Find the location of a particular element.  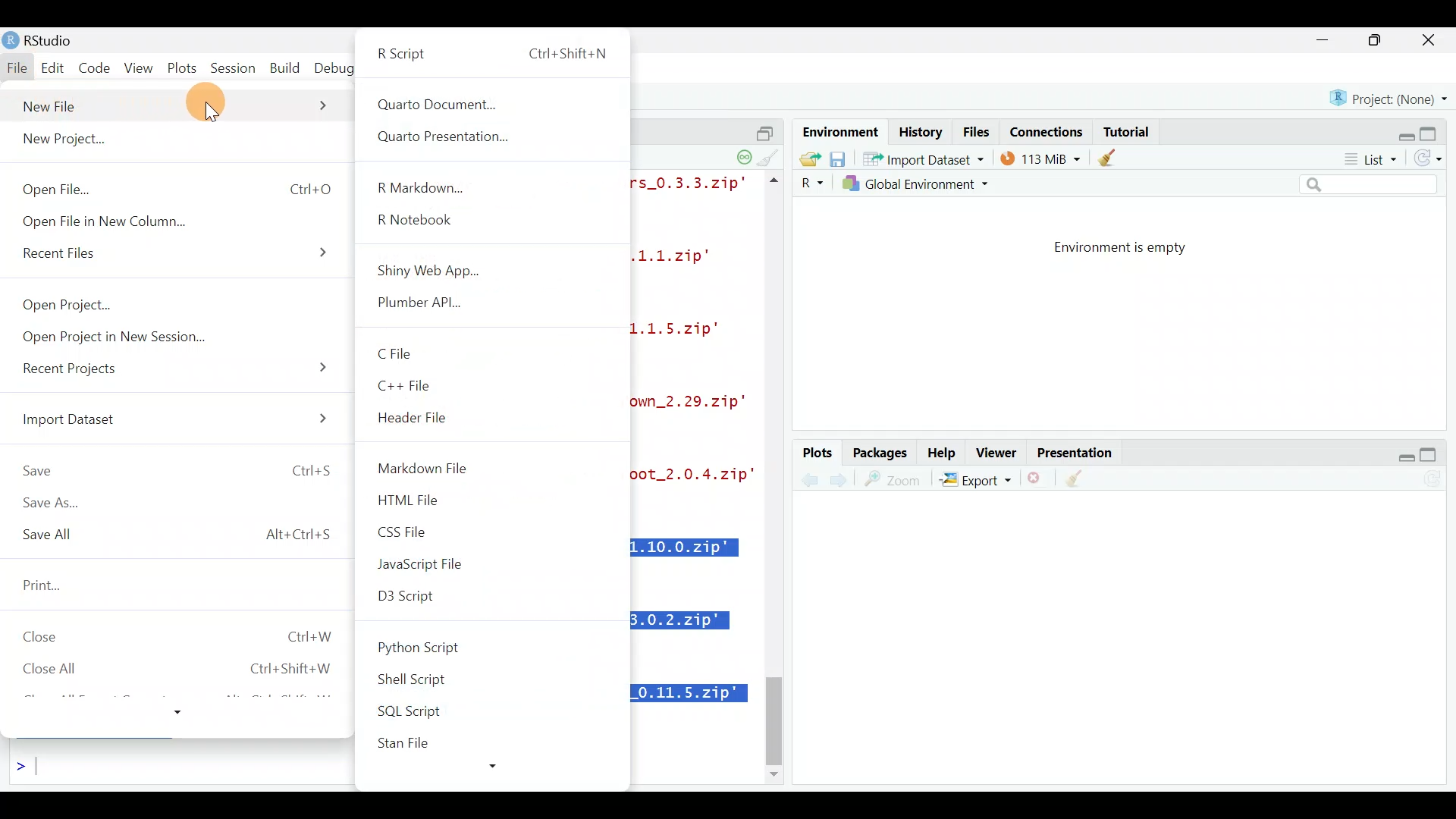

Save As... is located at coordinates (69, 506).